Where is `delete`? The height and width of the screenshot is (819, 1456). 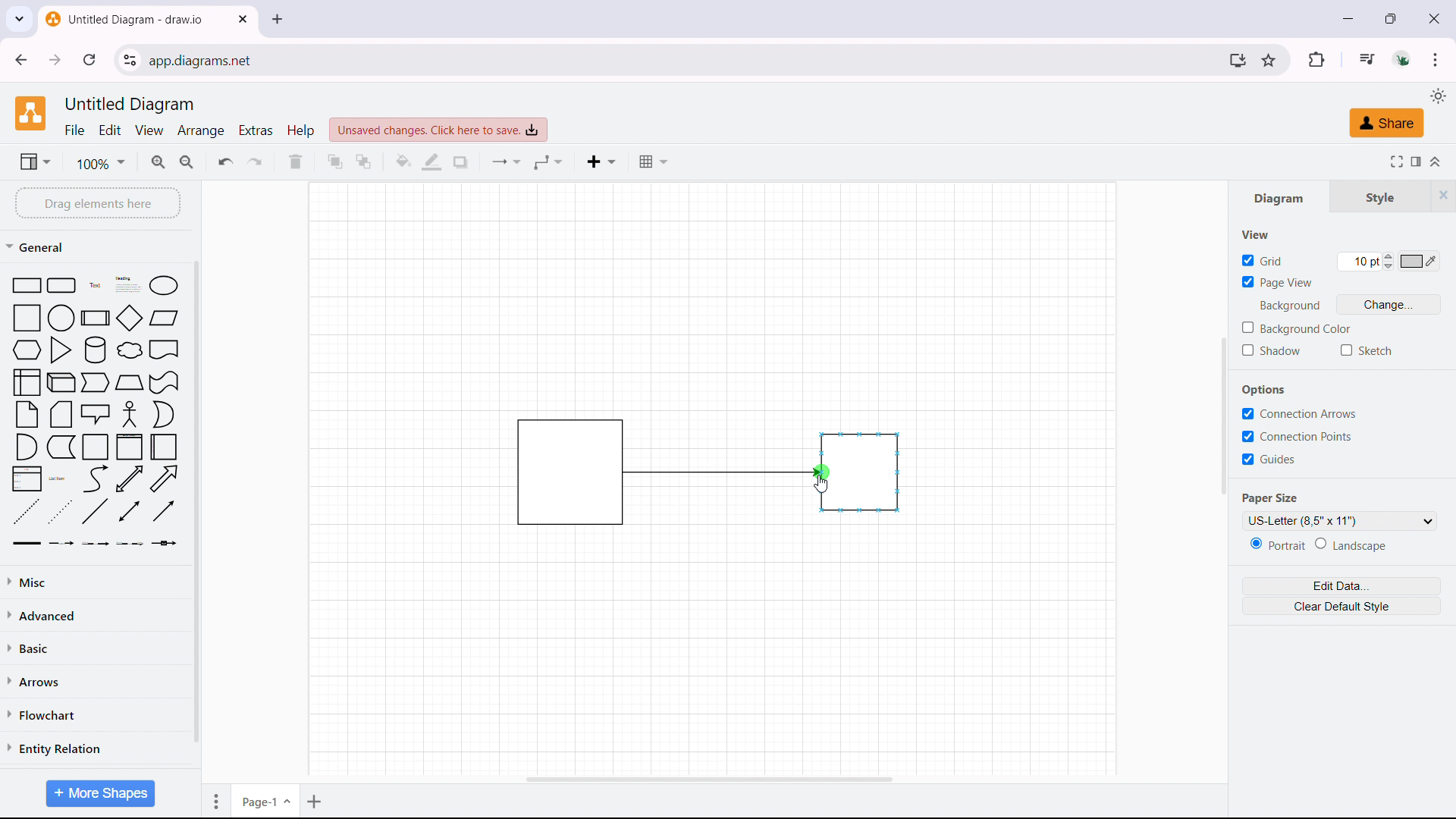
delete is located at coordinates (295, 162).